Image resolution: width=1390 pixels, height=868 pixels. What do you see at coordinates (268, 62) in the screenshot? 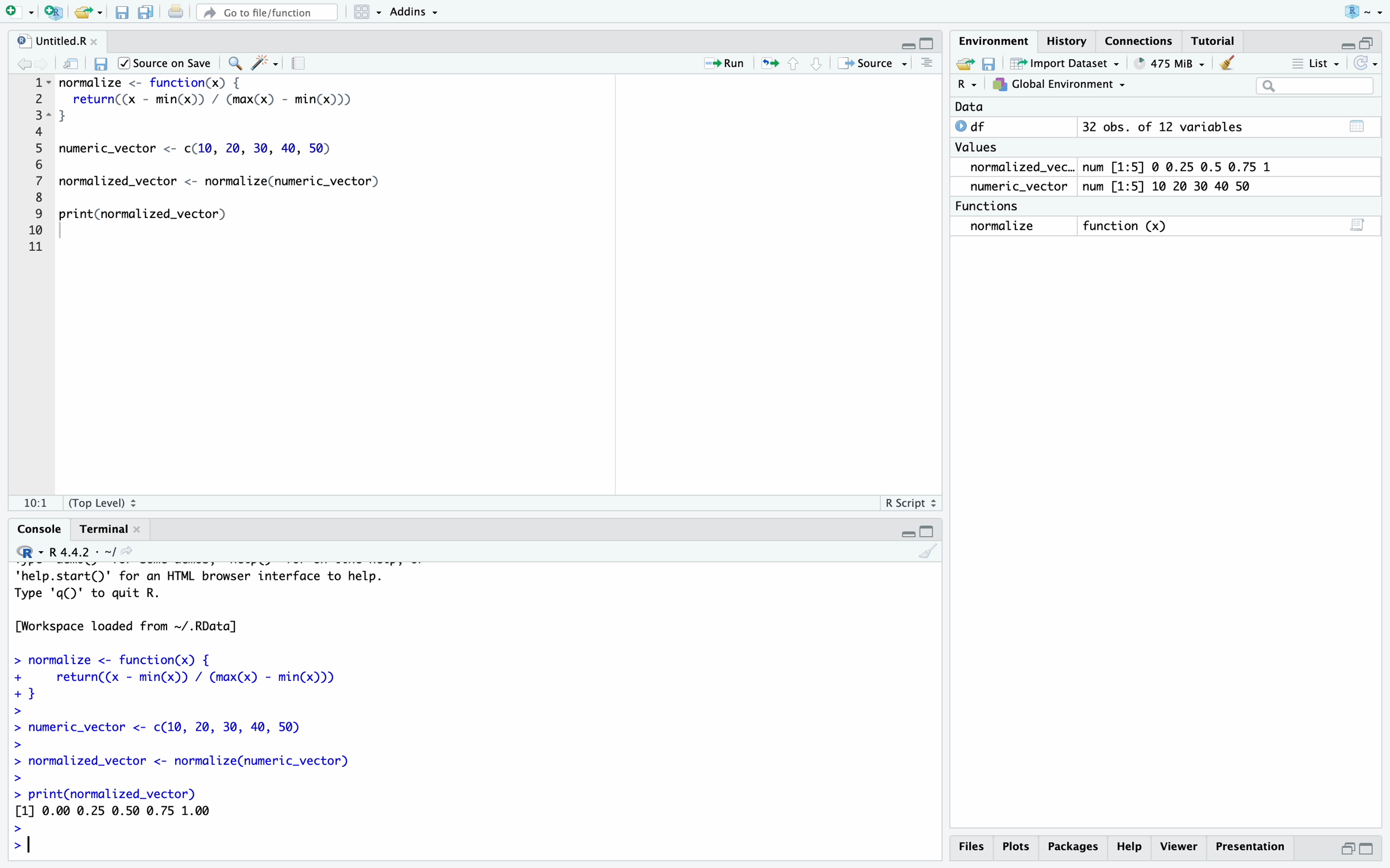
I see `Code Tools` at bounding box center [268, 62].